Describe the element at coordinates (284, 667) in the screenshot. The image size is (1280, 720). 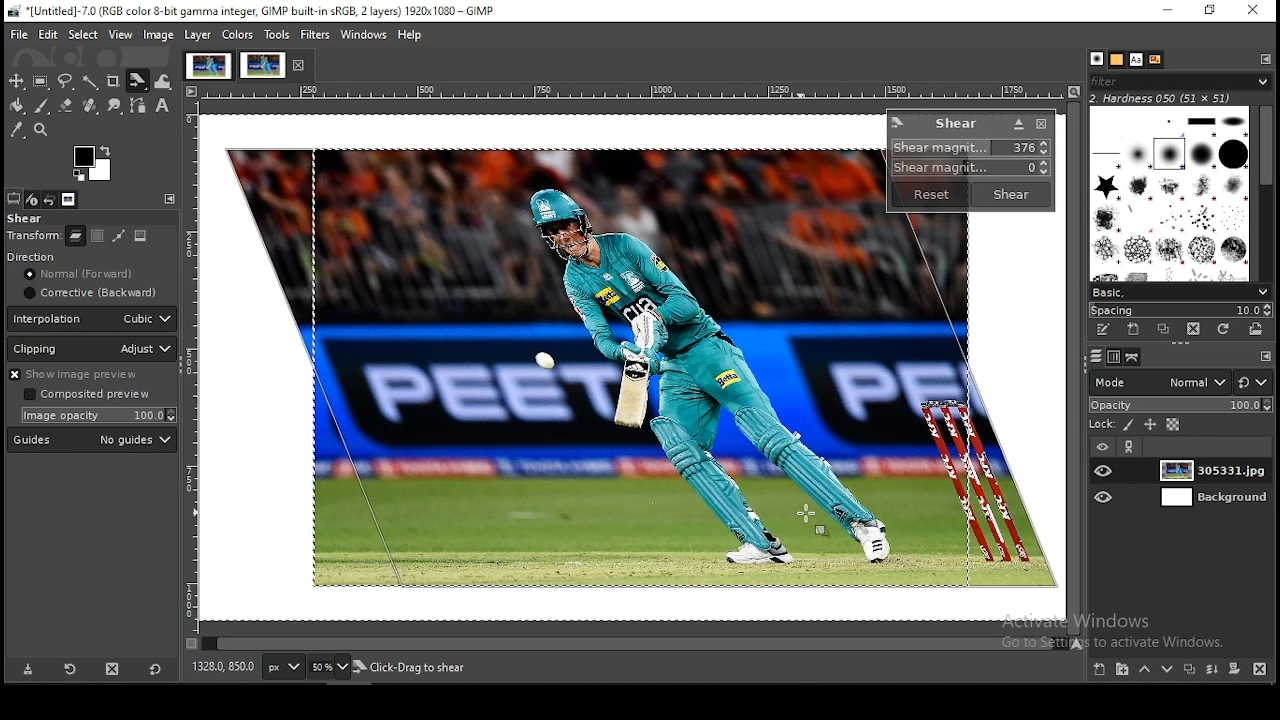
I see `units` at that location.